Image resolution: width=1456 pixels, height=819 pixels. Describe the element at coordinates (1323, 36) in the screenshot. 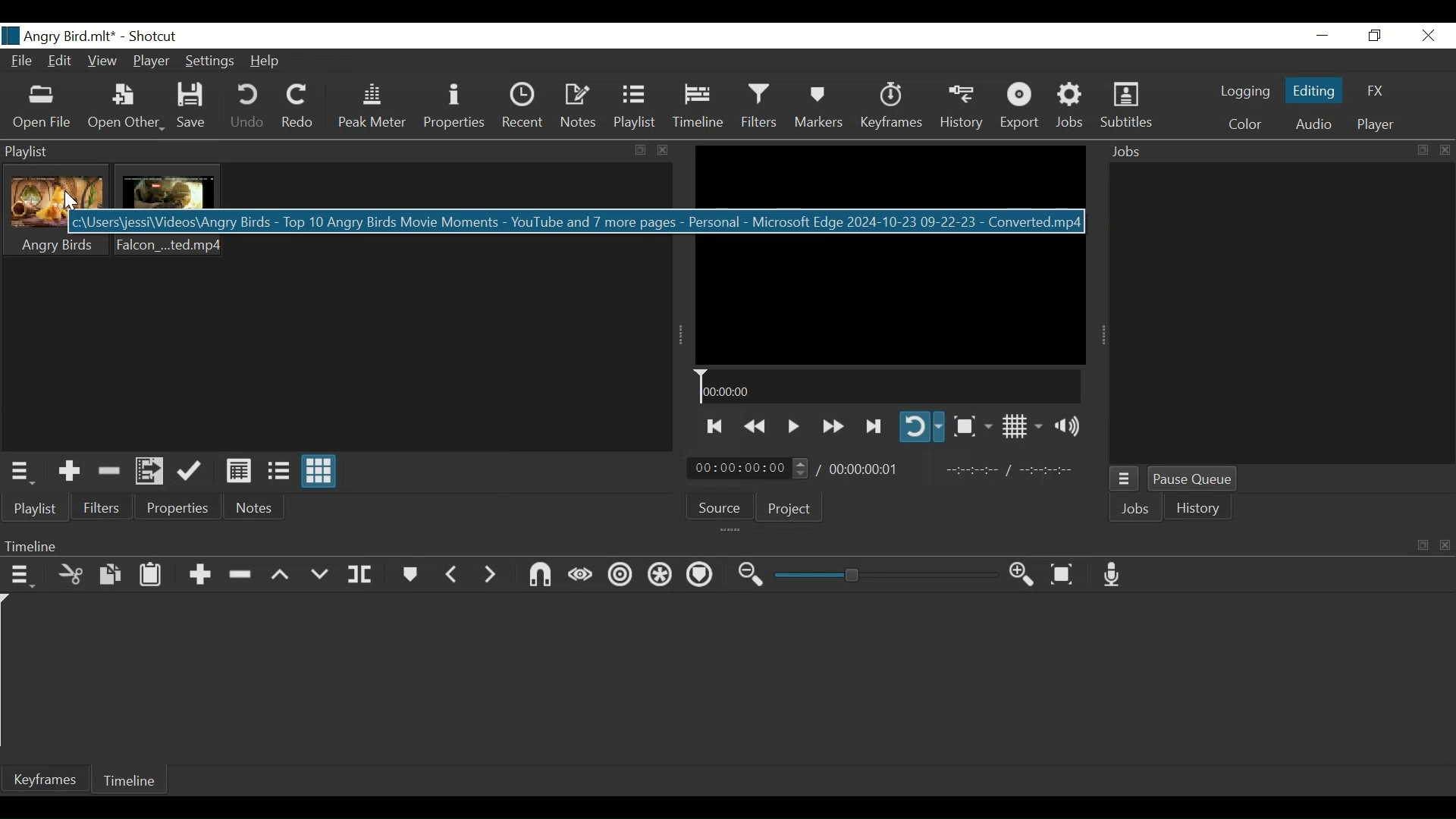

I see `Minimize` at that location.